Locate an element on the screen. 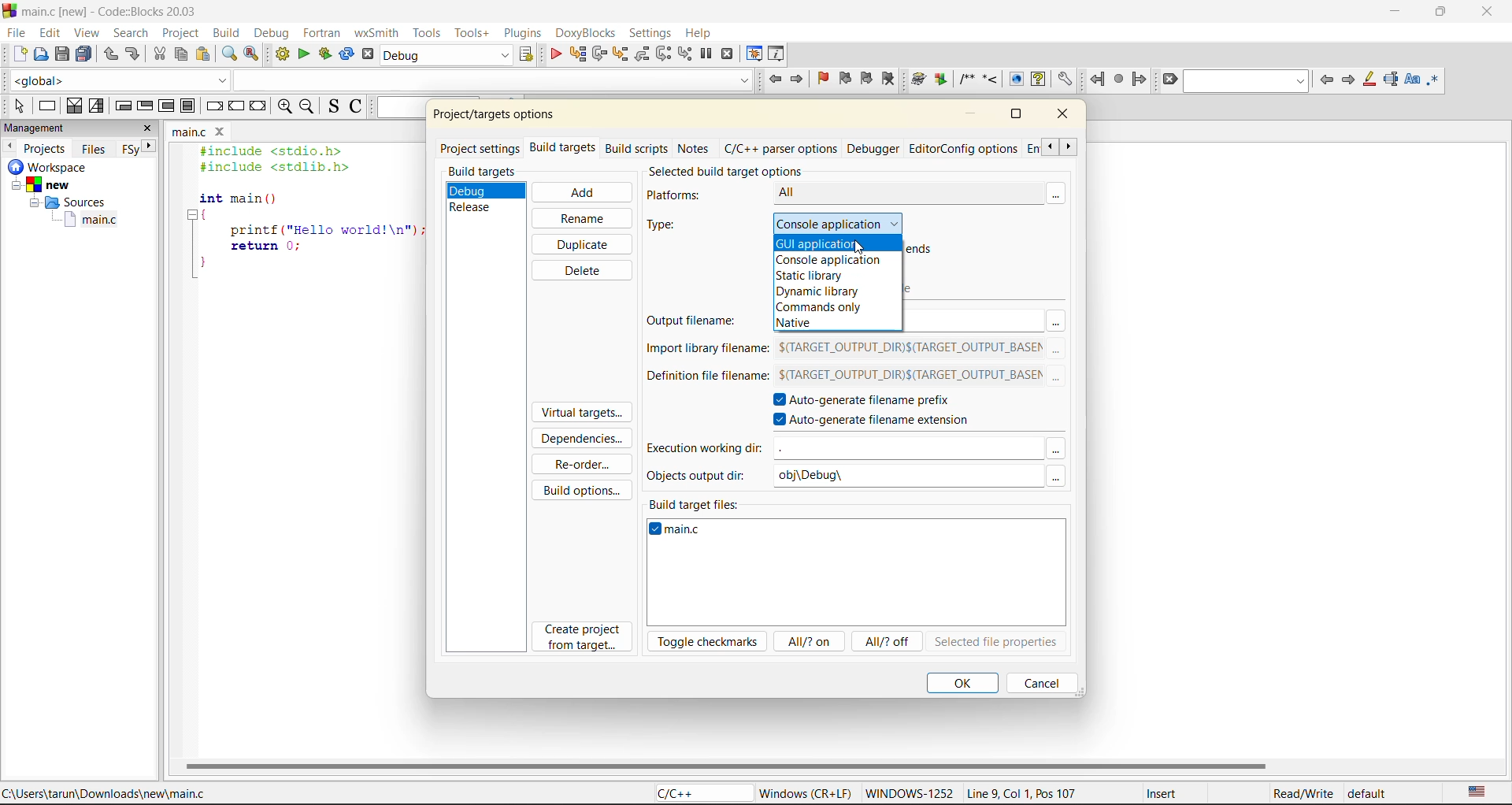 This screenshot has height=805, width=1512. next is located at coordinates (869, 80).